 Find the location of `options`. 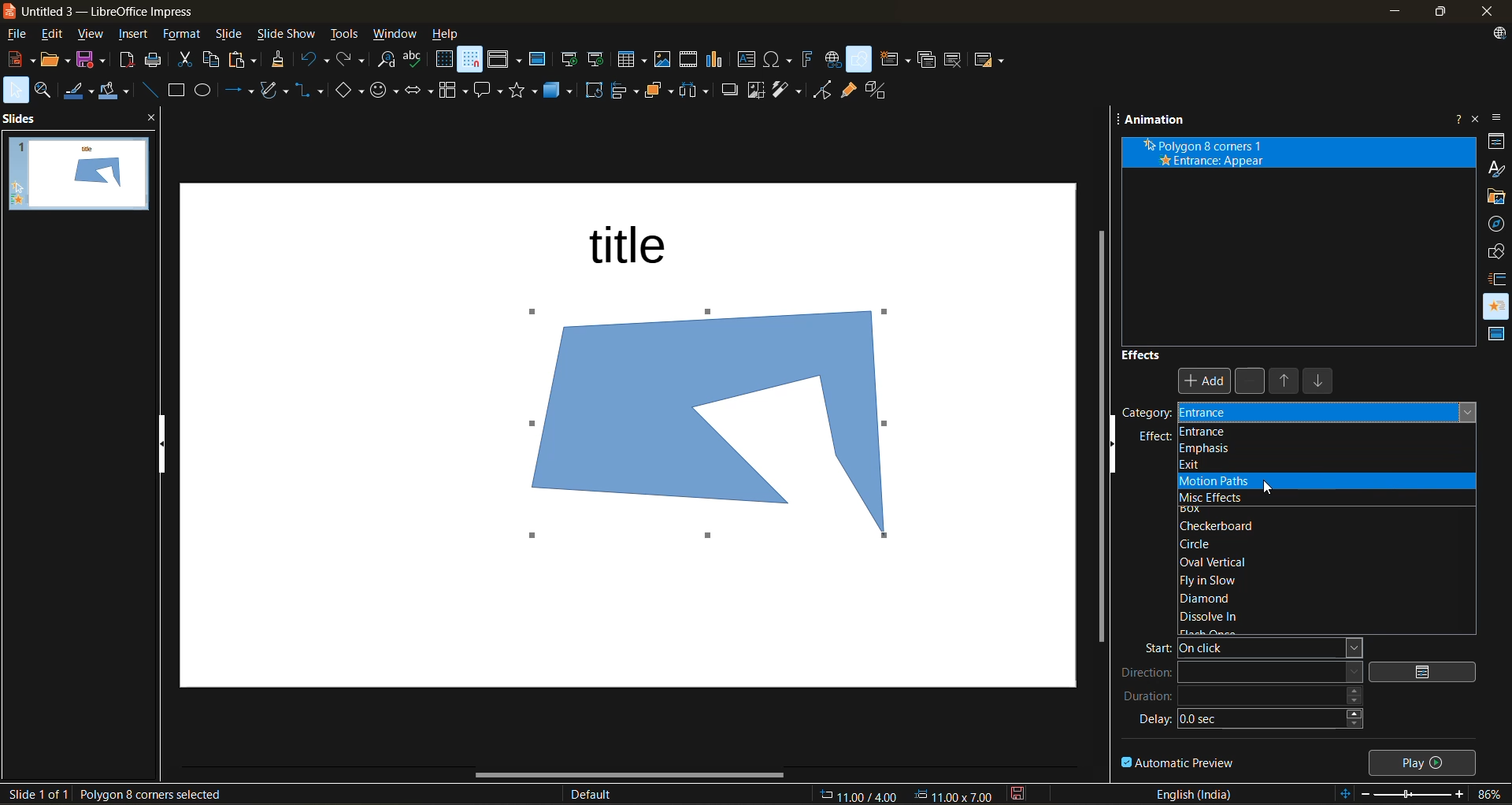

options is located at coordinates (1426, 672).